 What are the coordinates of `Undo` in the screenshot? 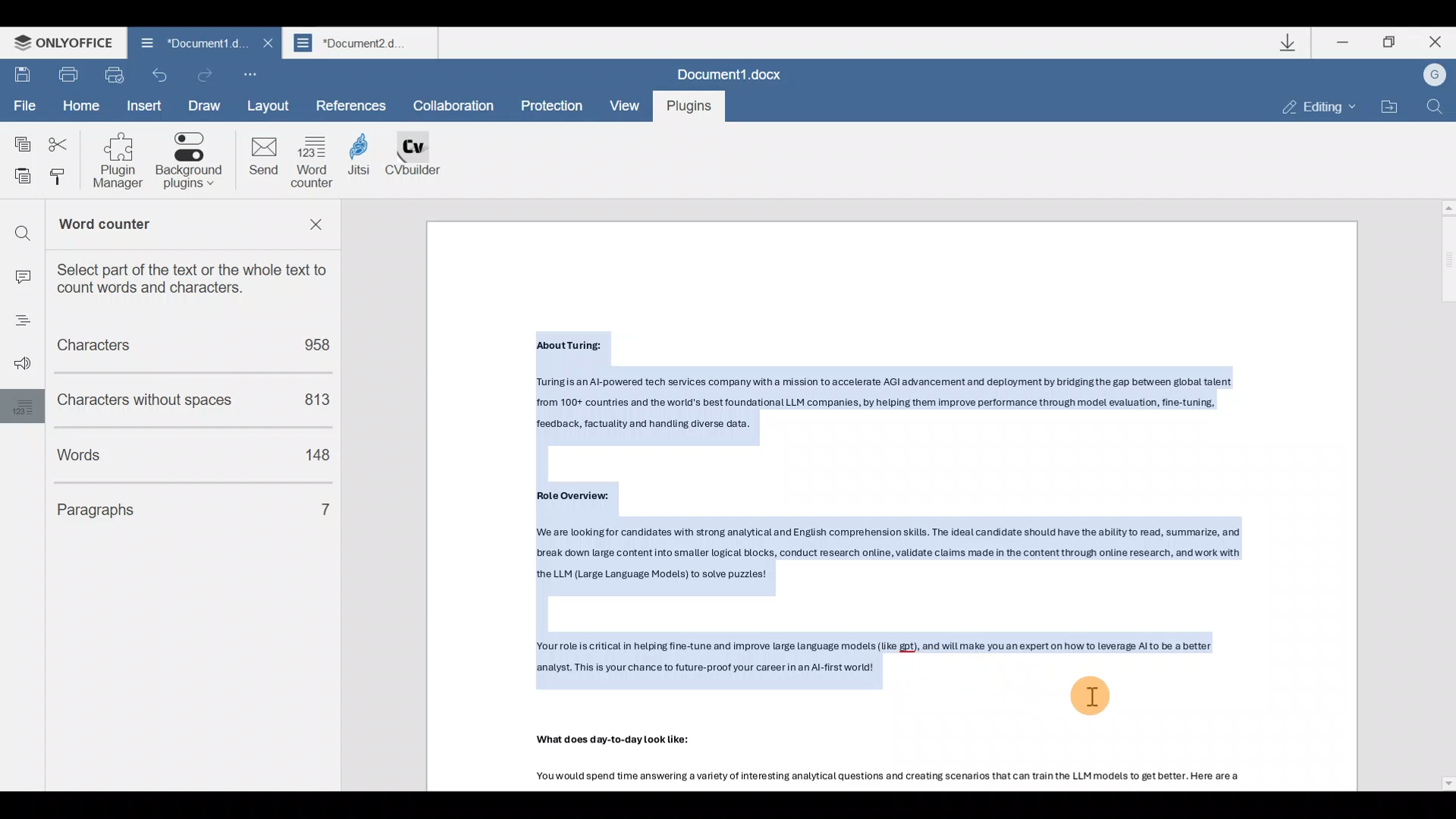 It's located at (159, 76).